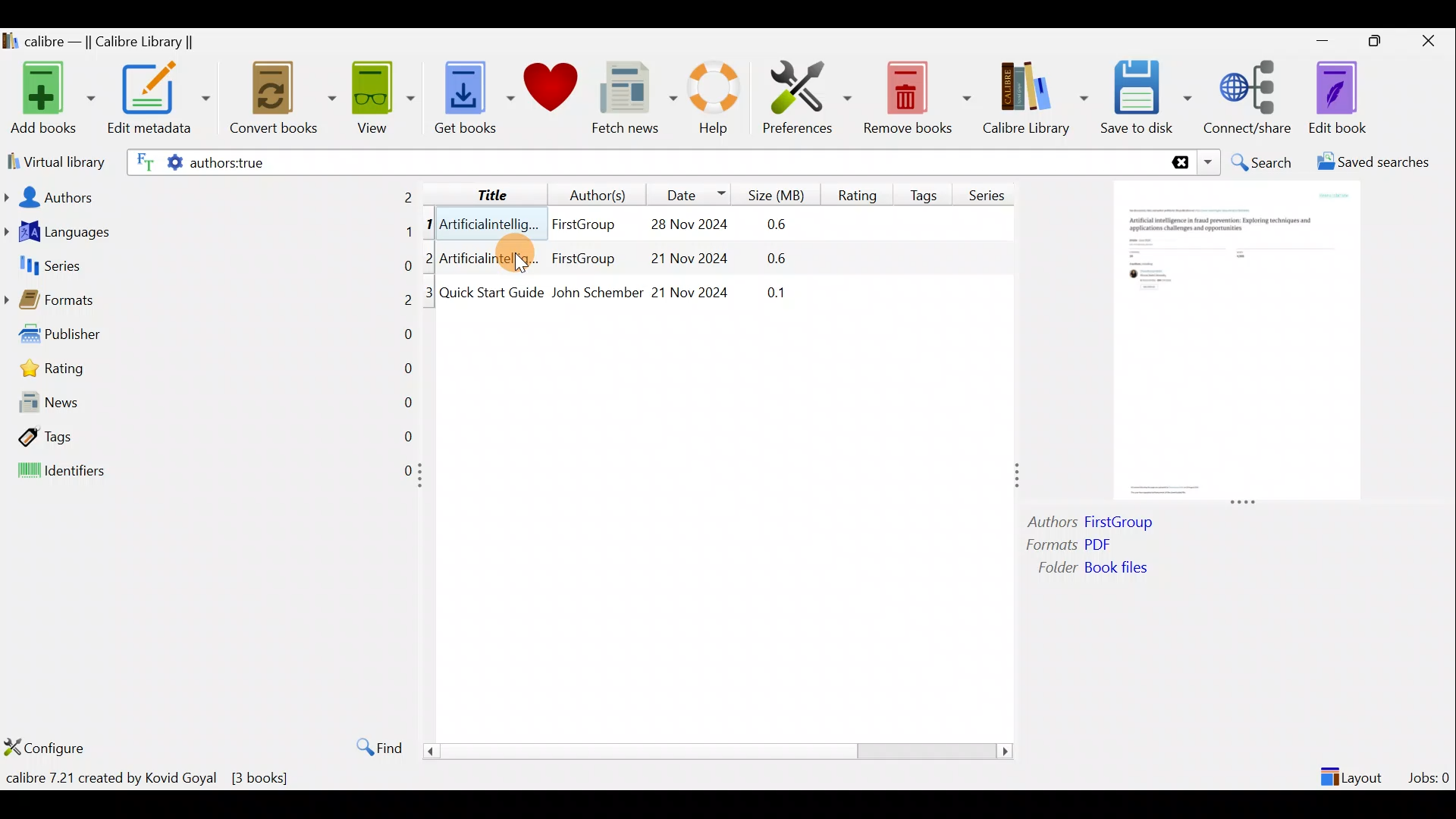 The height and width of the screenshot is (819, 1456). What do you see at coordinates (642, 162) in the screenshot?
I see `Search by - authors:true` at bounding box center [642, 162].